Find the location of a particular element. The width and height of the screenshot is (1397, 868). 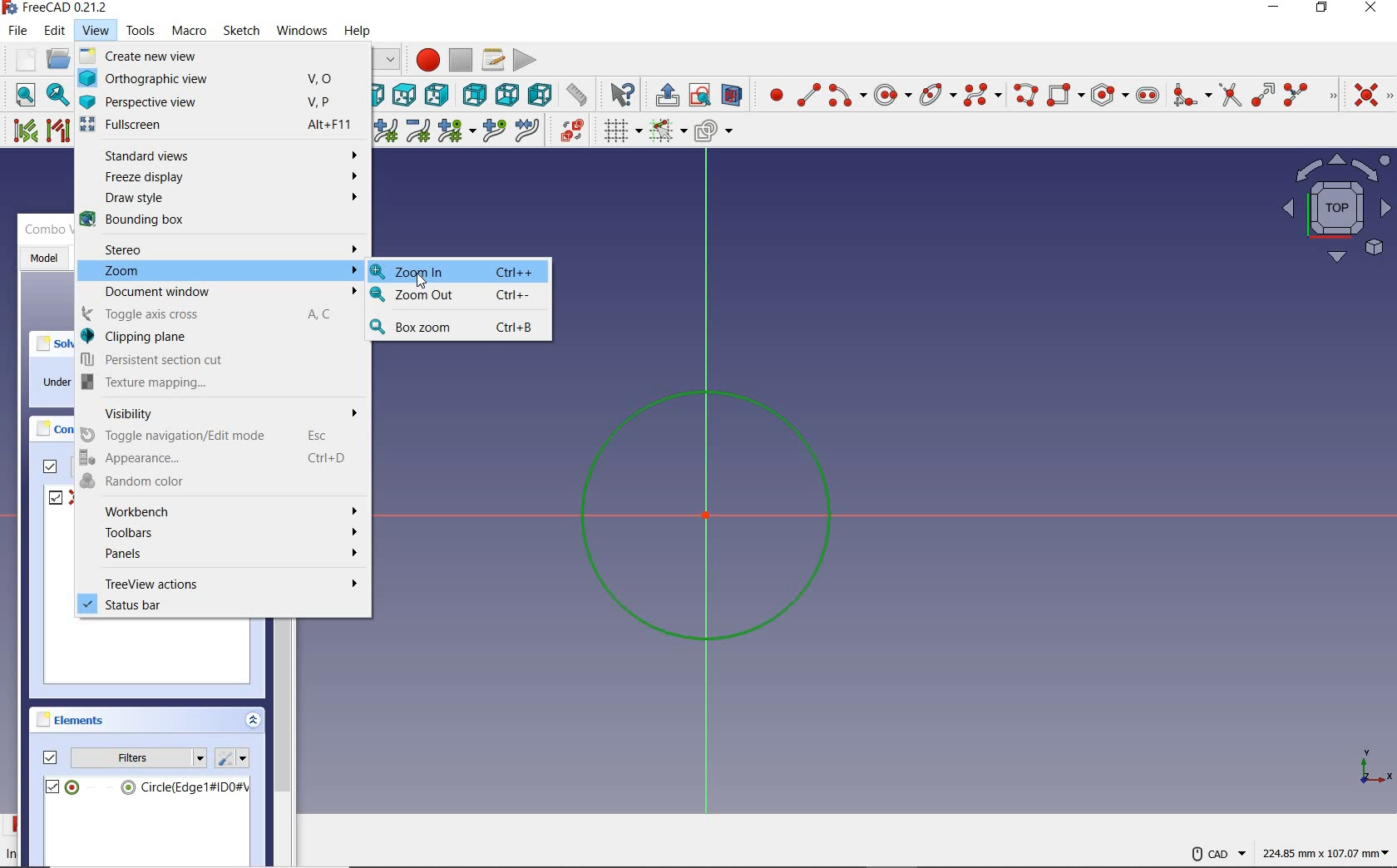

coordinate is located at coordinates (1374, 767).